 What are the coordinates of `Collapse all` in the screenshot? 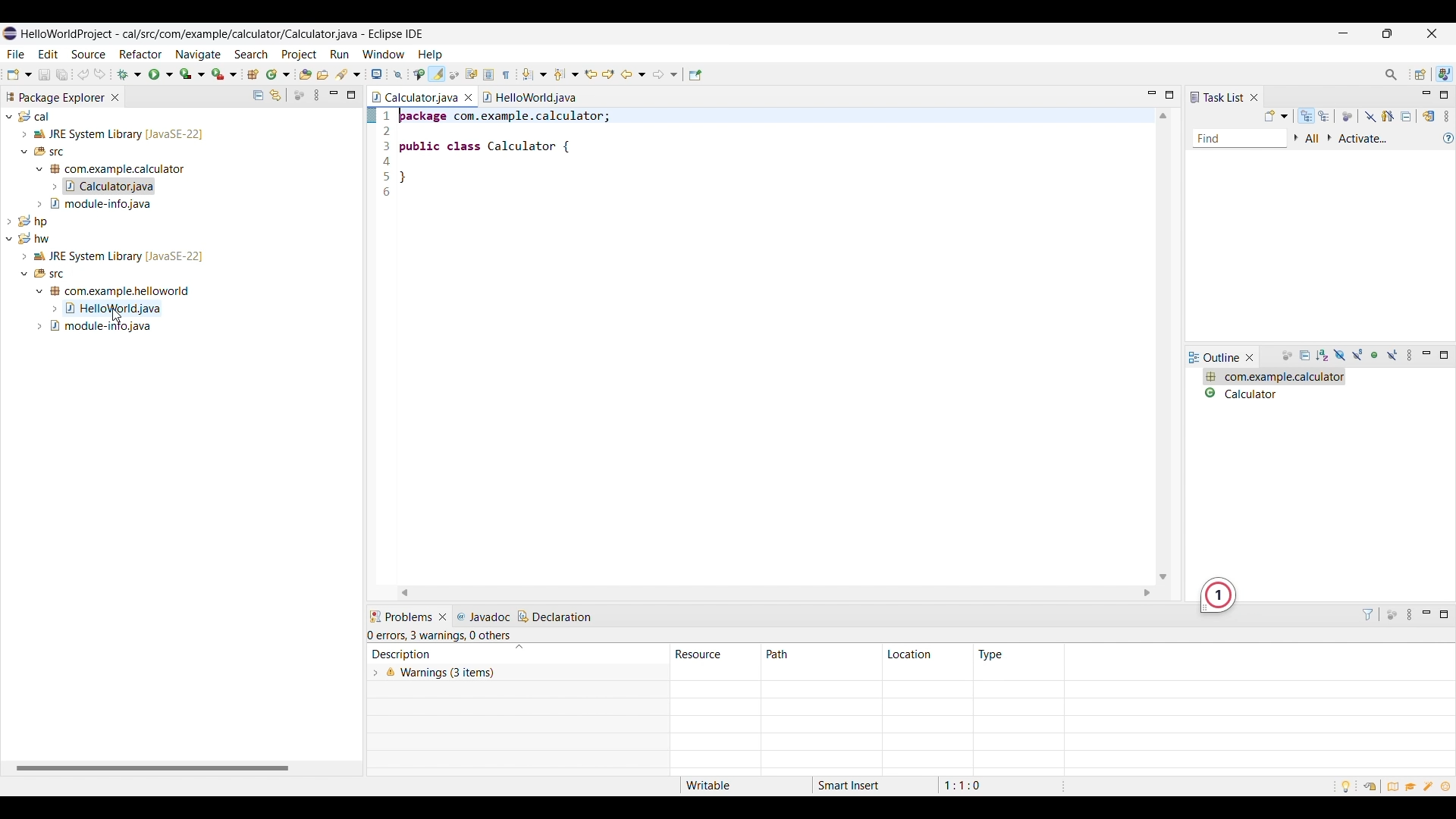 It's located at (1406, 116).